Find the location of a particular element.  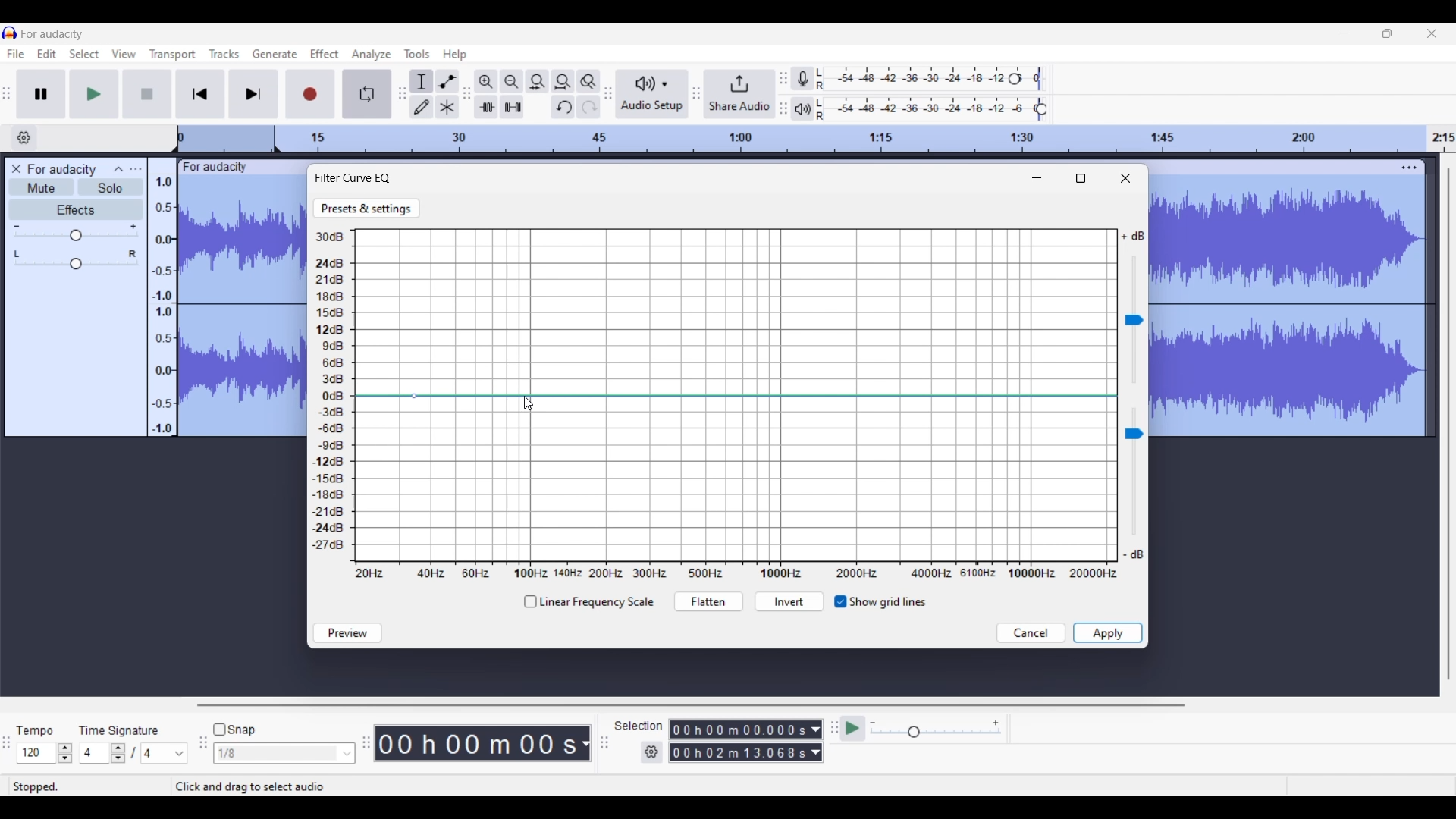

Status of current recording is located at coordinates (88, 787).